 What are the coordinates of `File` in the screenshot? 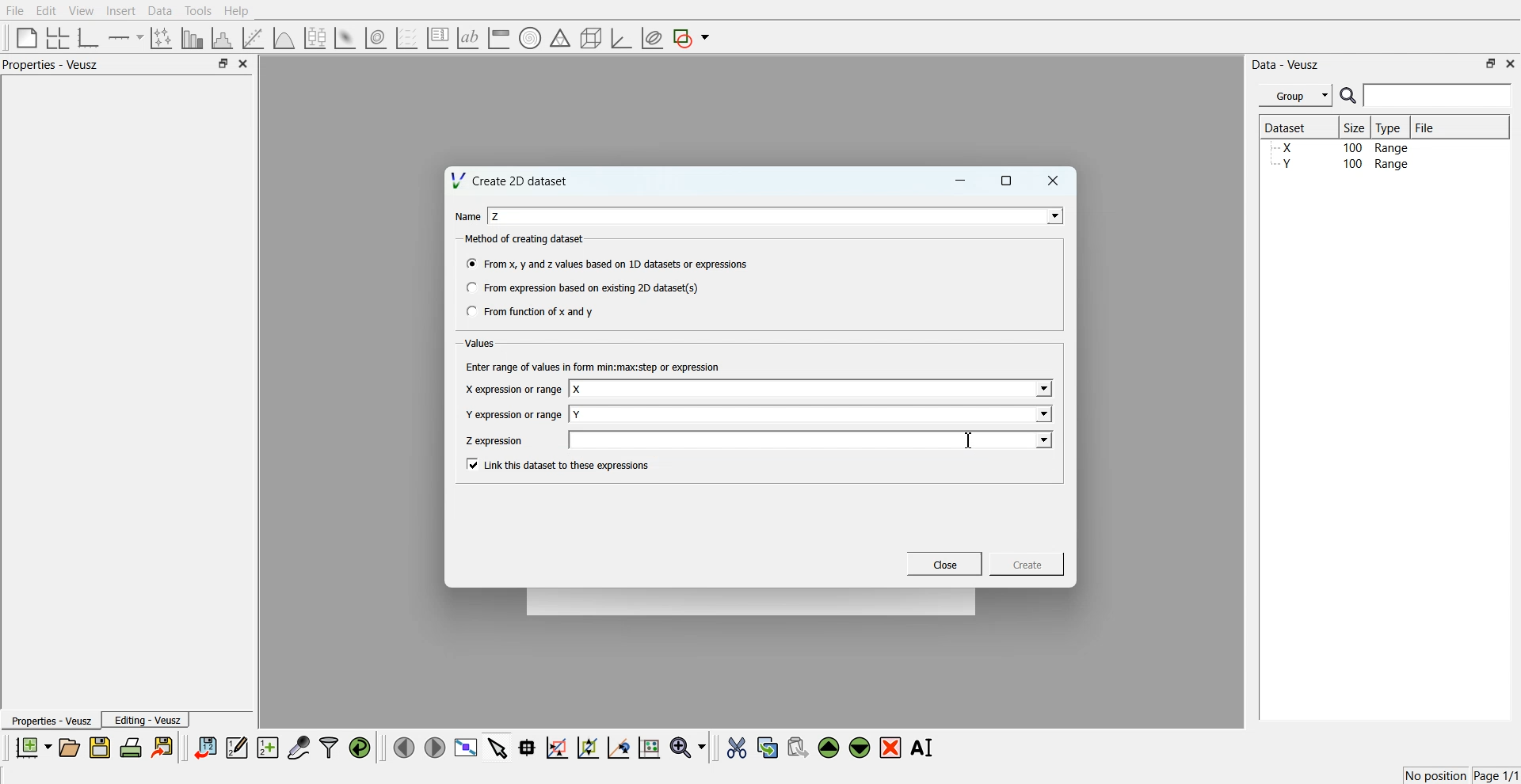 It's located at (1427, 127).